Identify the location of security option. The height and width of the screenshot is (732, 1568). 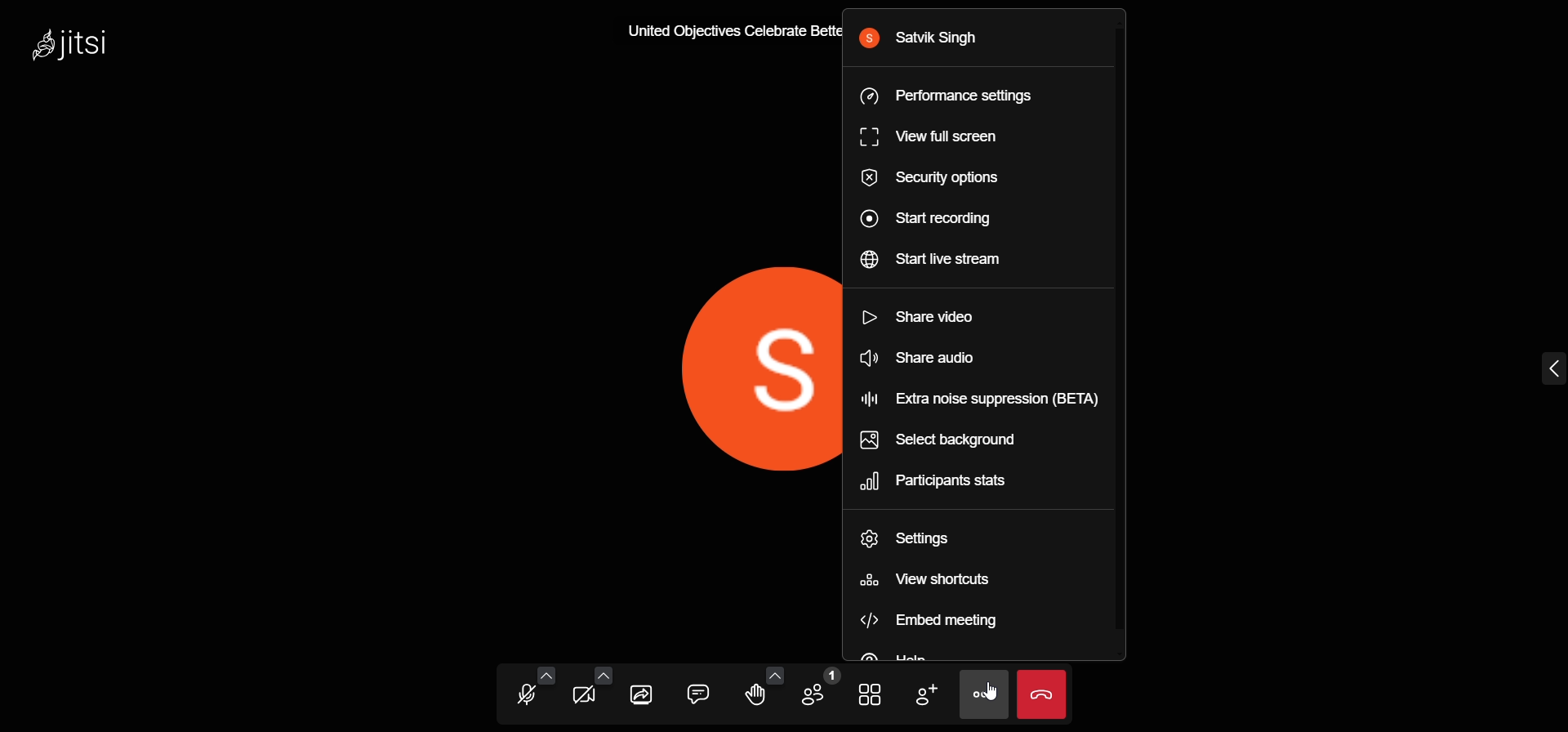
(942, 179).